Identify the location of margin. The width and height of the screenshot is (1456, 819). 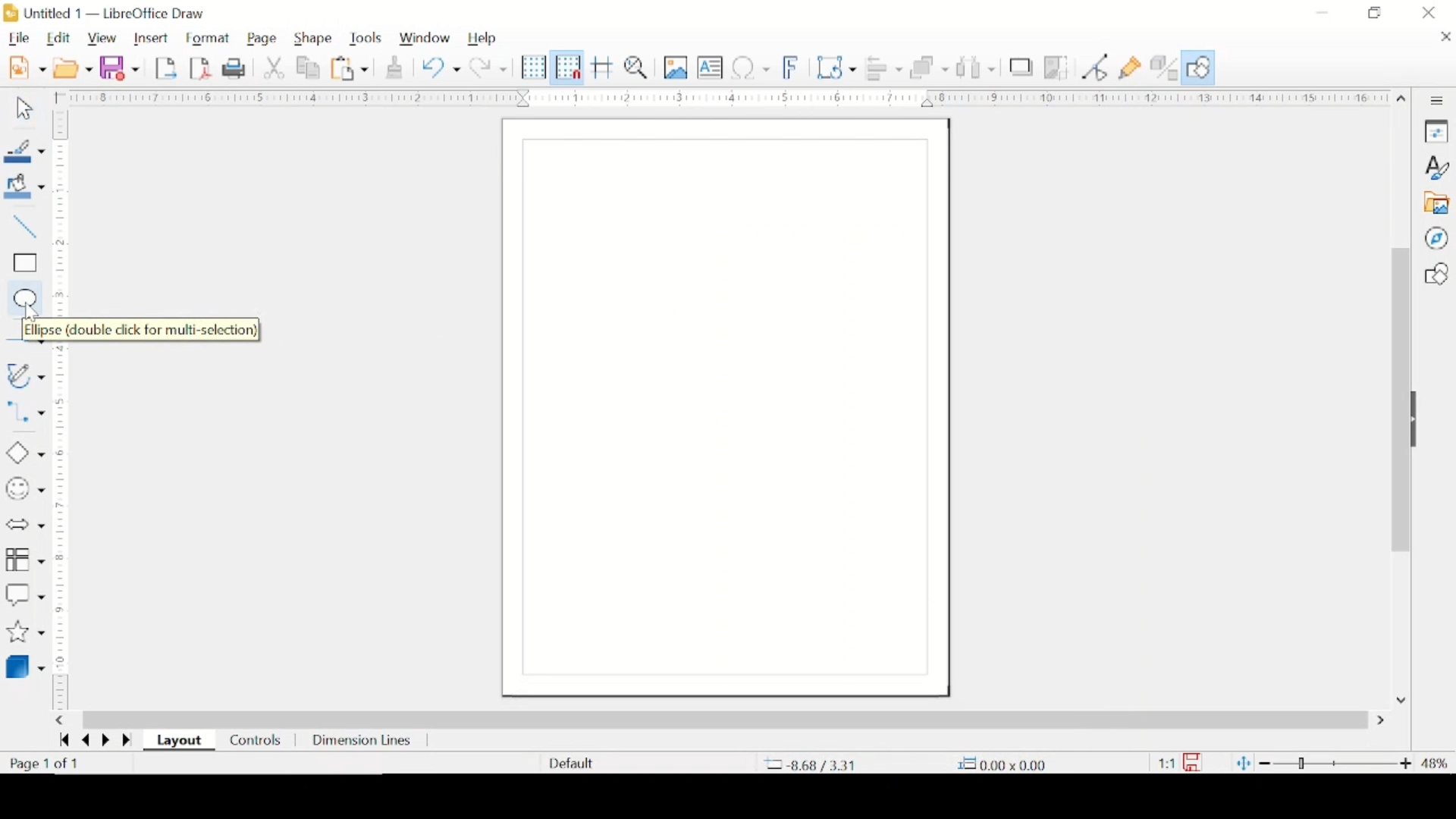
(730, 97).